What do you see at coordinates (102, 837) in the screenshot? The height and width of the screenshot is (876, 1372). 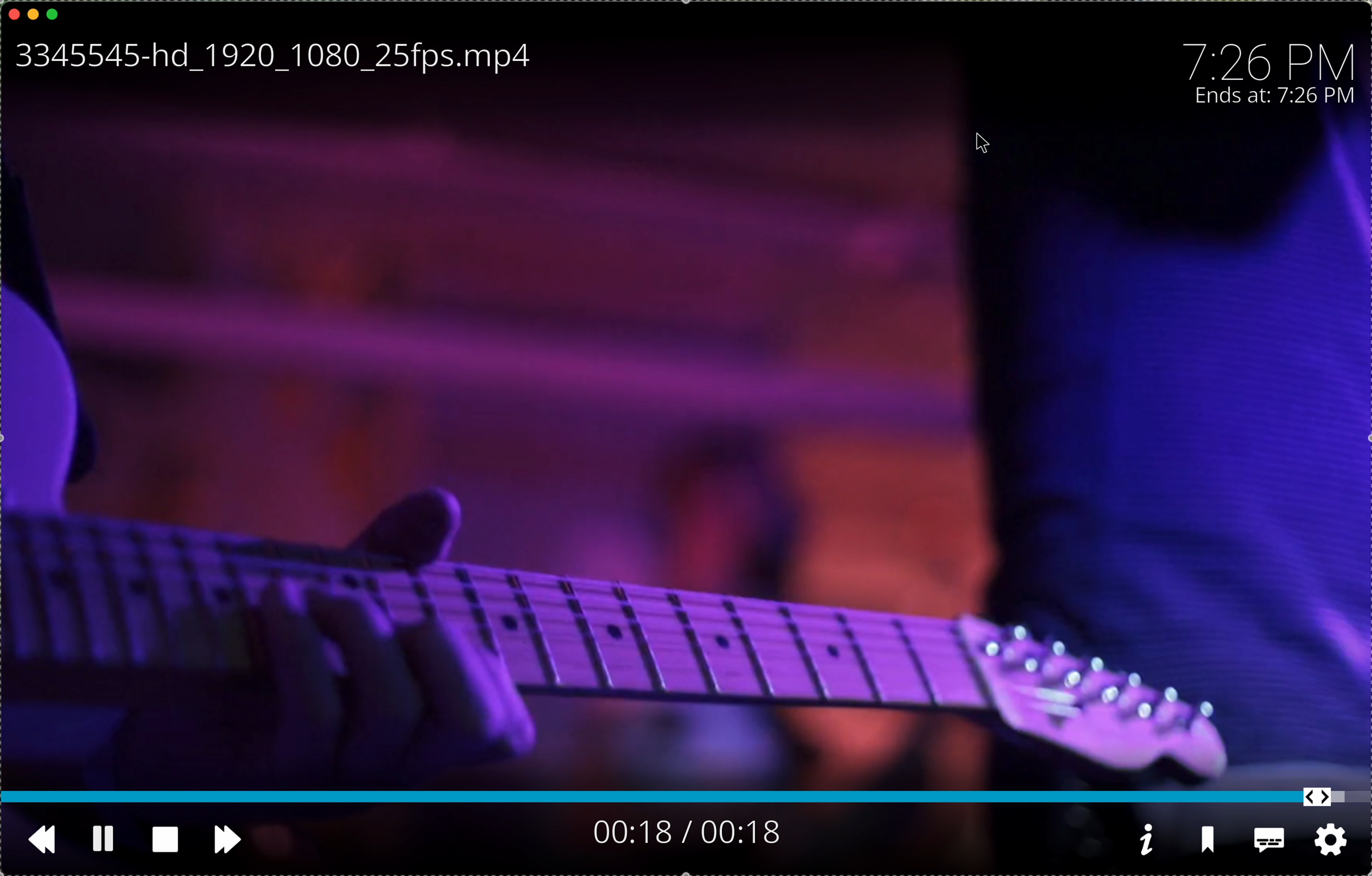 I see `pause` at bounding box center [102, 837].